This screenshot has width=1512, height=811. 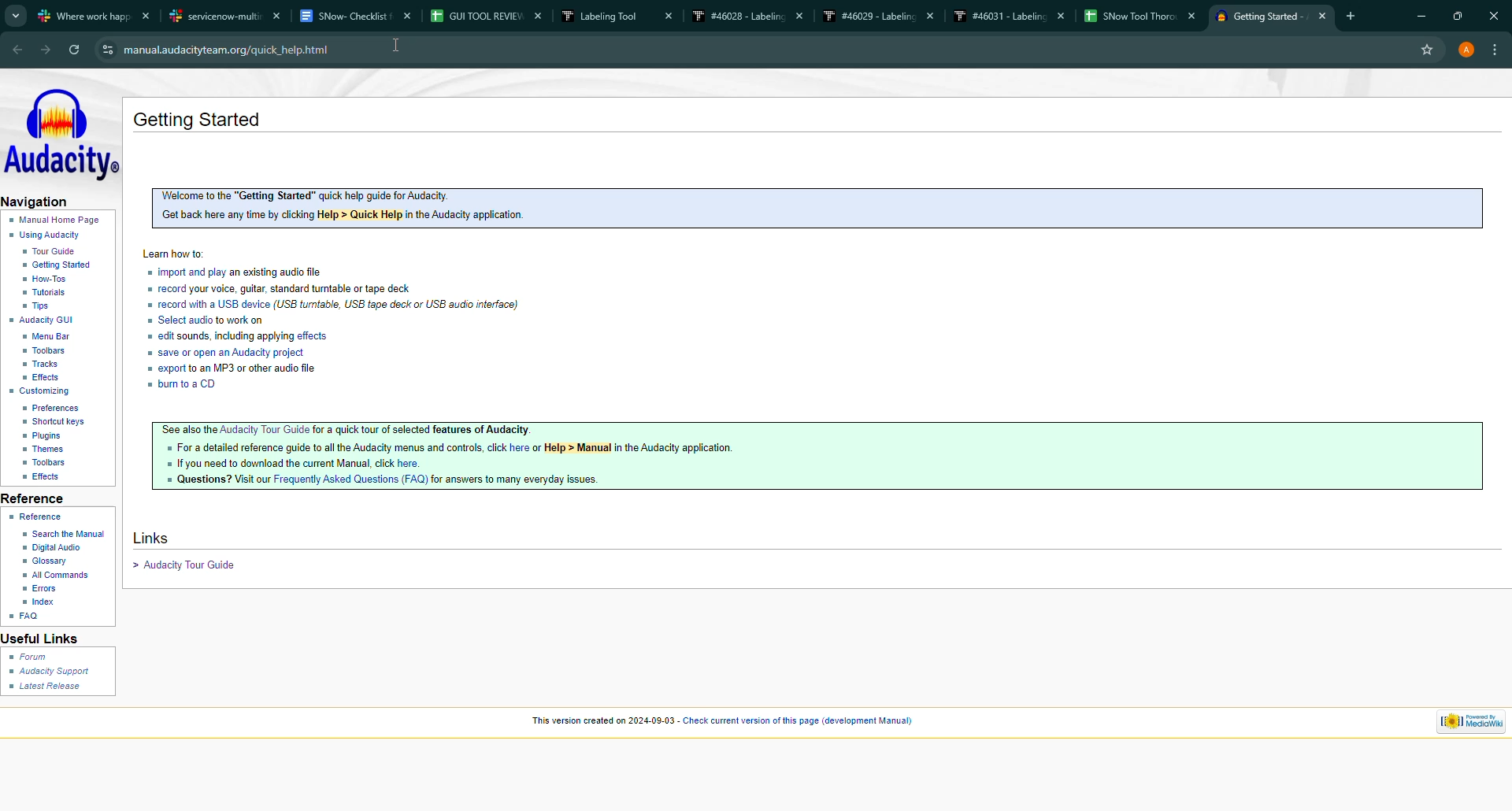 What do you see at coordinates (1002, 17) in the screenshot?
I see `#46031 - Labeling` at bounding box center [1002, 17].